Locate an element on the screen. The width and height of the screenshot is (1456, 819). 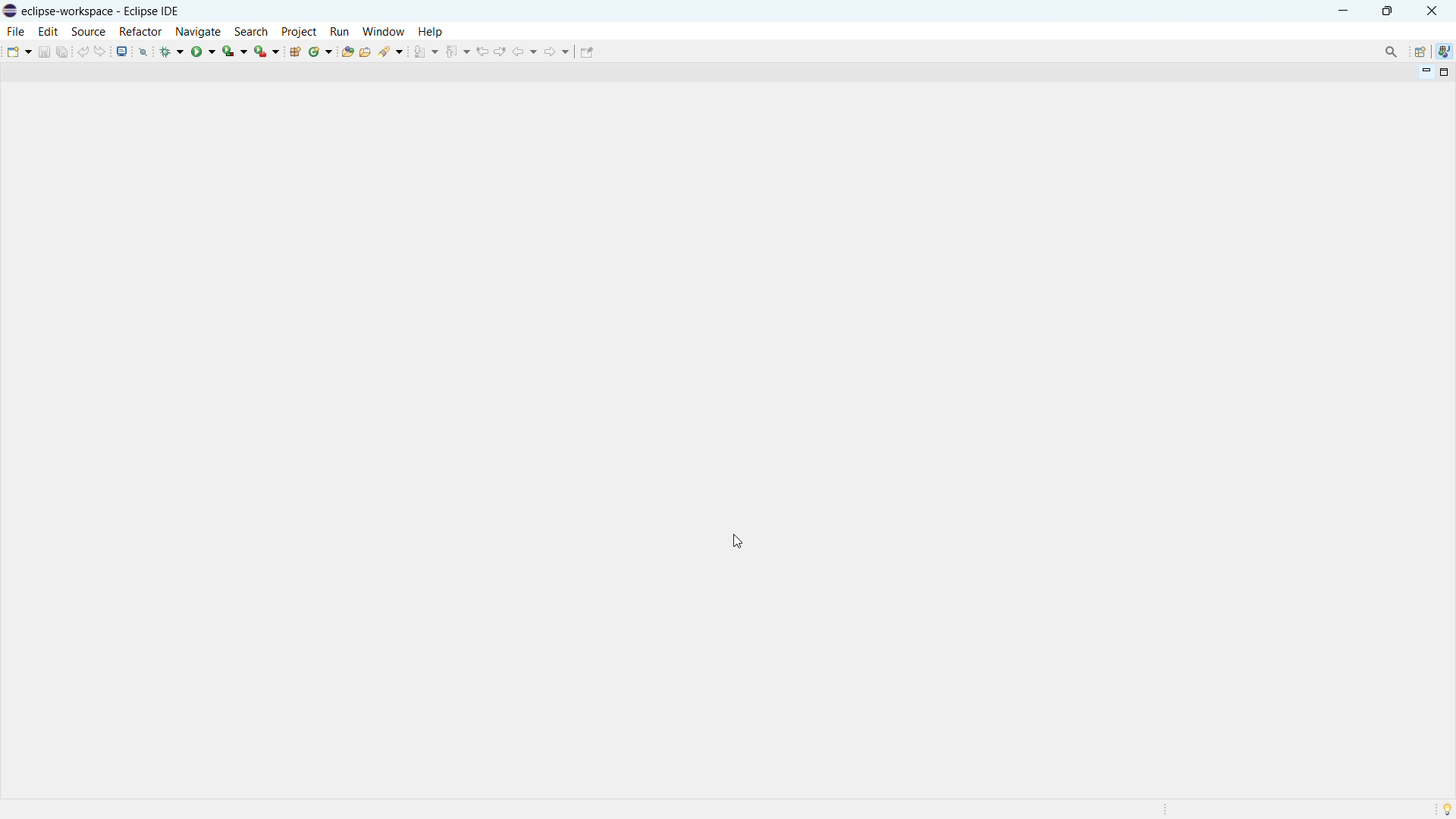
search is located at coordinates (251, 31).